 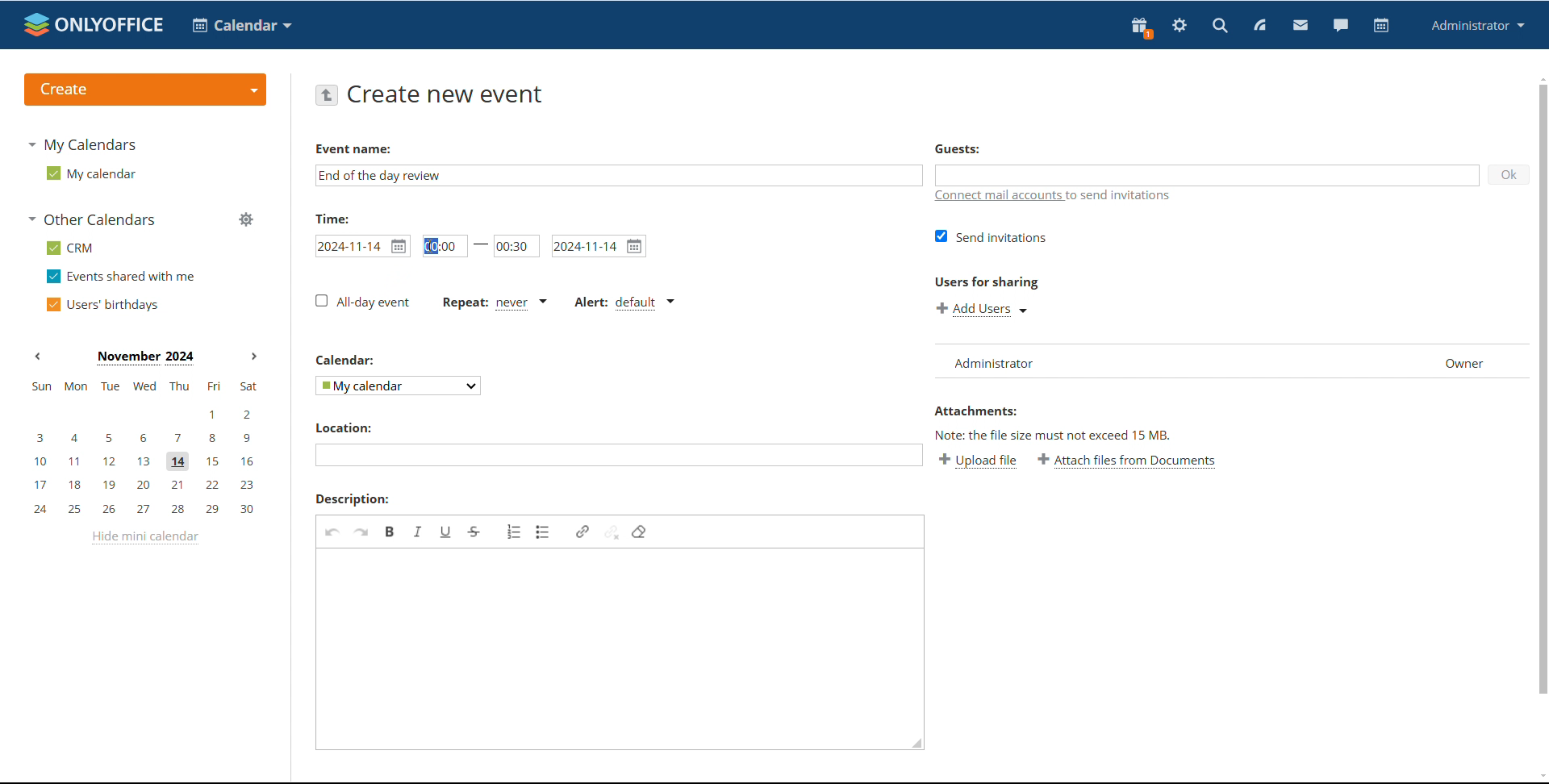 I want to click on 10, 11, 12, 13, 14, 15, 16, so click(x=148, y=462).